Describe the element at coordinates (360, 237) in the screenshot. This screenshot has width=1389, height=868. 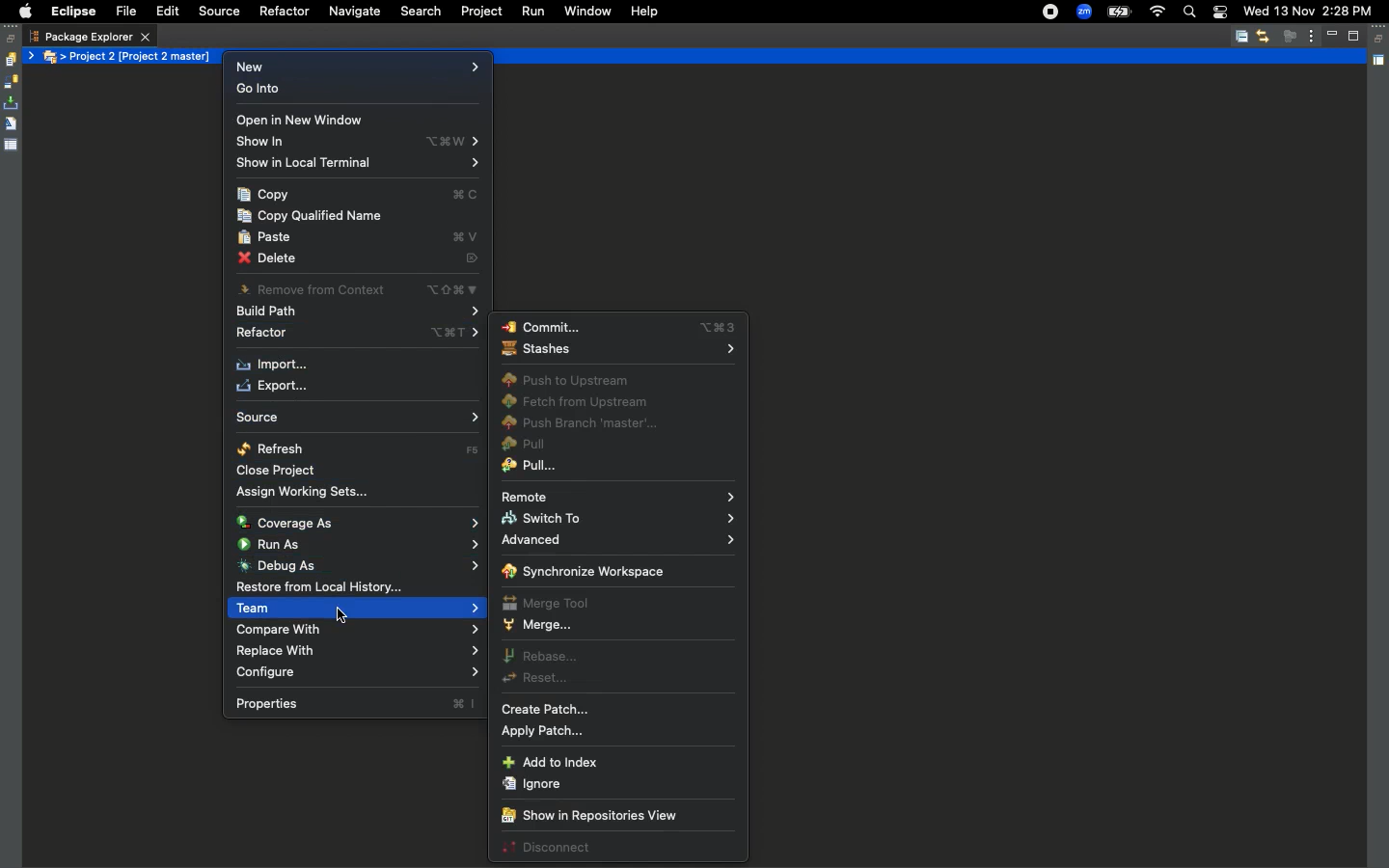
I see `Paste ` at that location.